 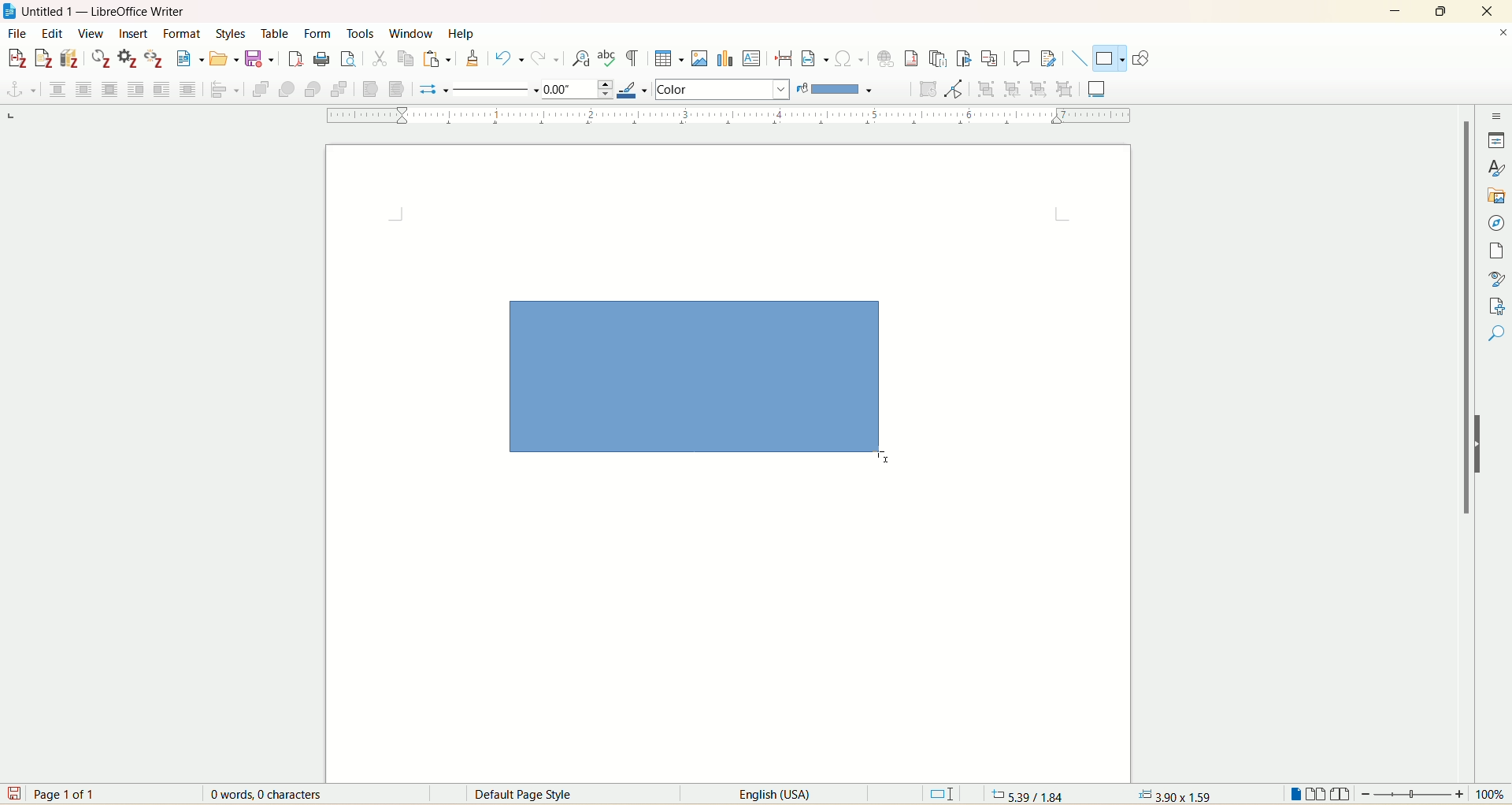 What do you see at coordinates (636, 88) in the screenshot?
I see `line color` at bounding box center [636, 88].